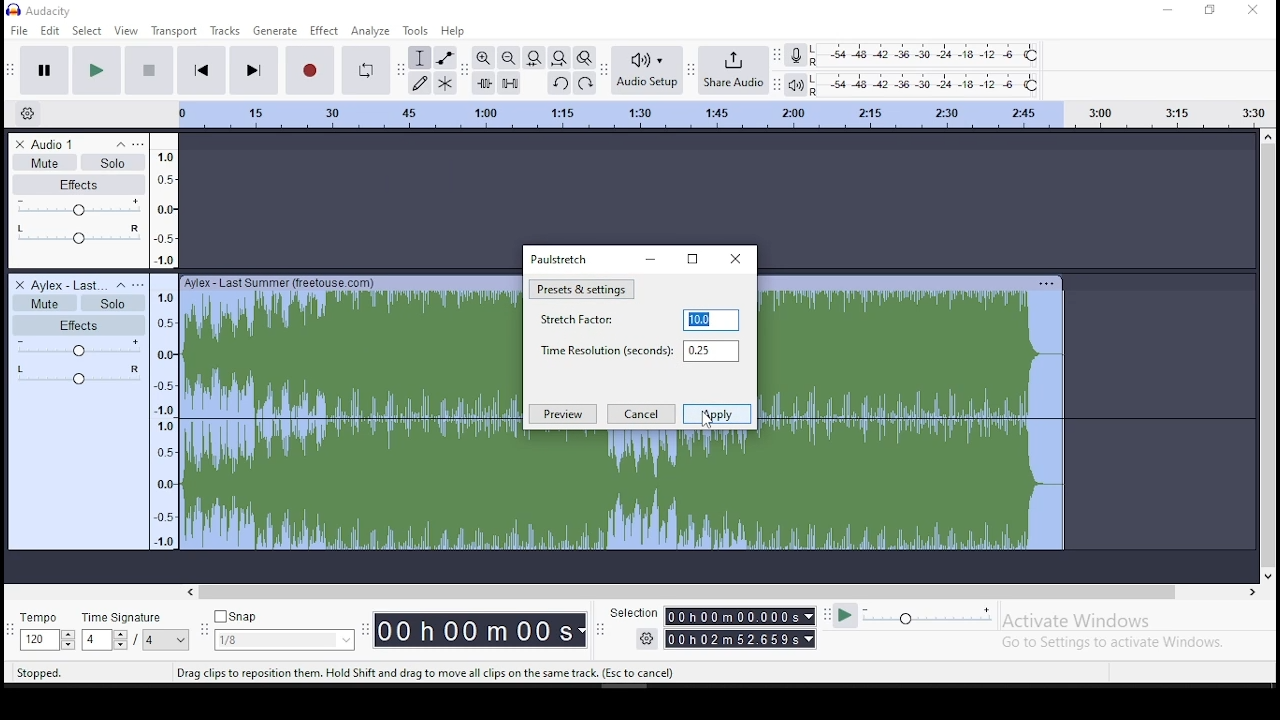  What do you see at coordinates (1268, 357) in the screenshot?
I see `scroll bar` at bounding box center [1268, 357].